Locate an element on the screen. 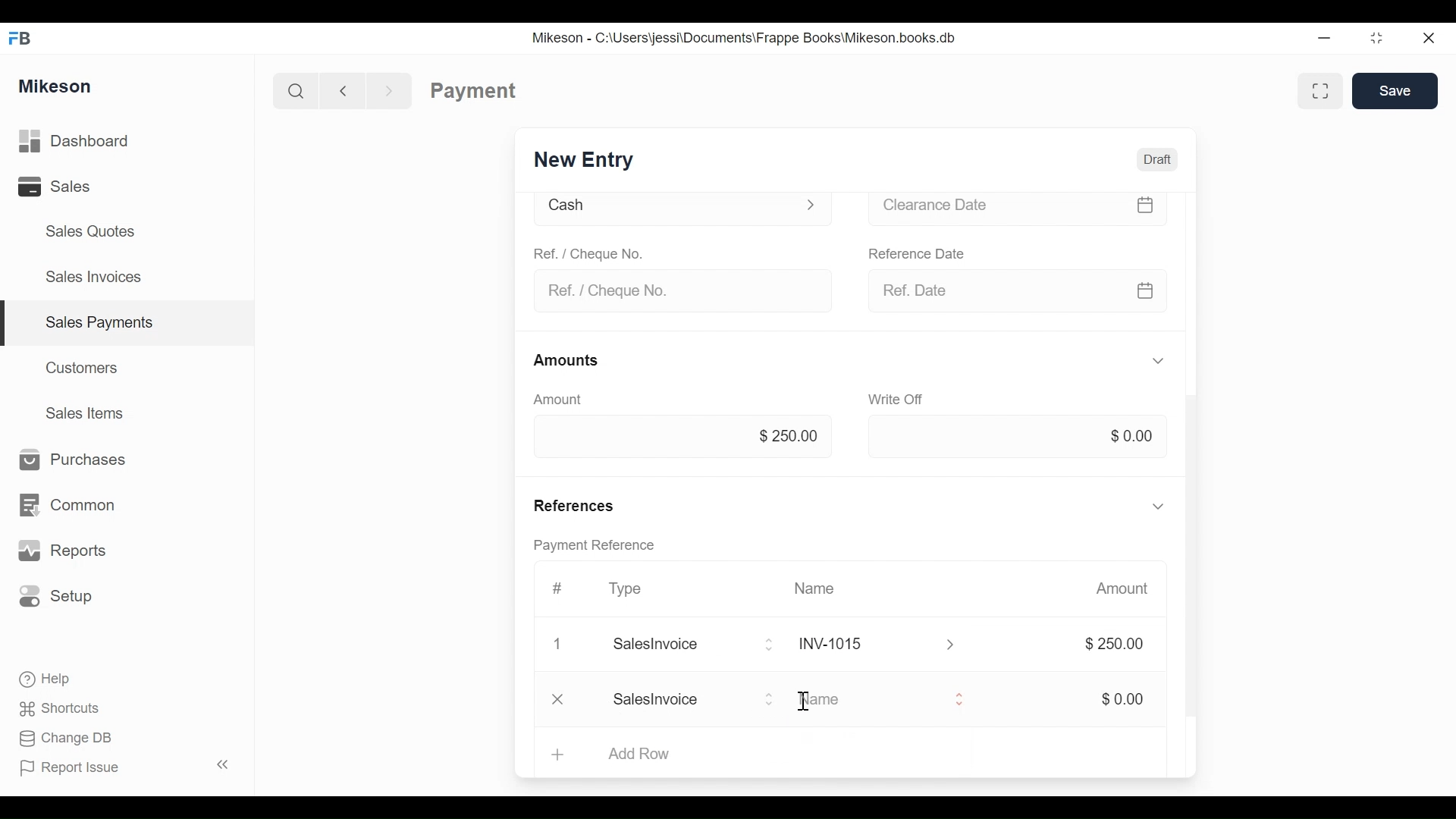  Ref. / Cheque No. is located at coordinates (594, 256).